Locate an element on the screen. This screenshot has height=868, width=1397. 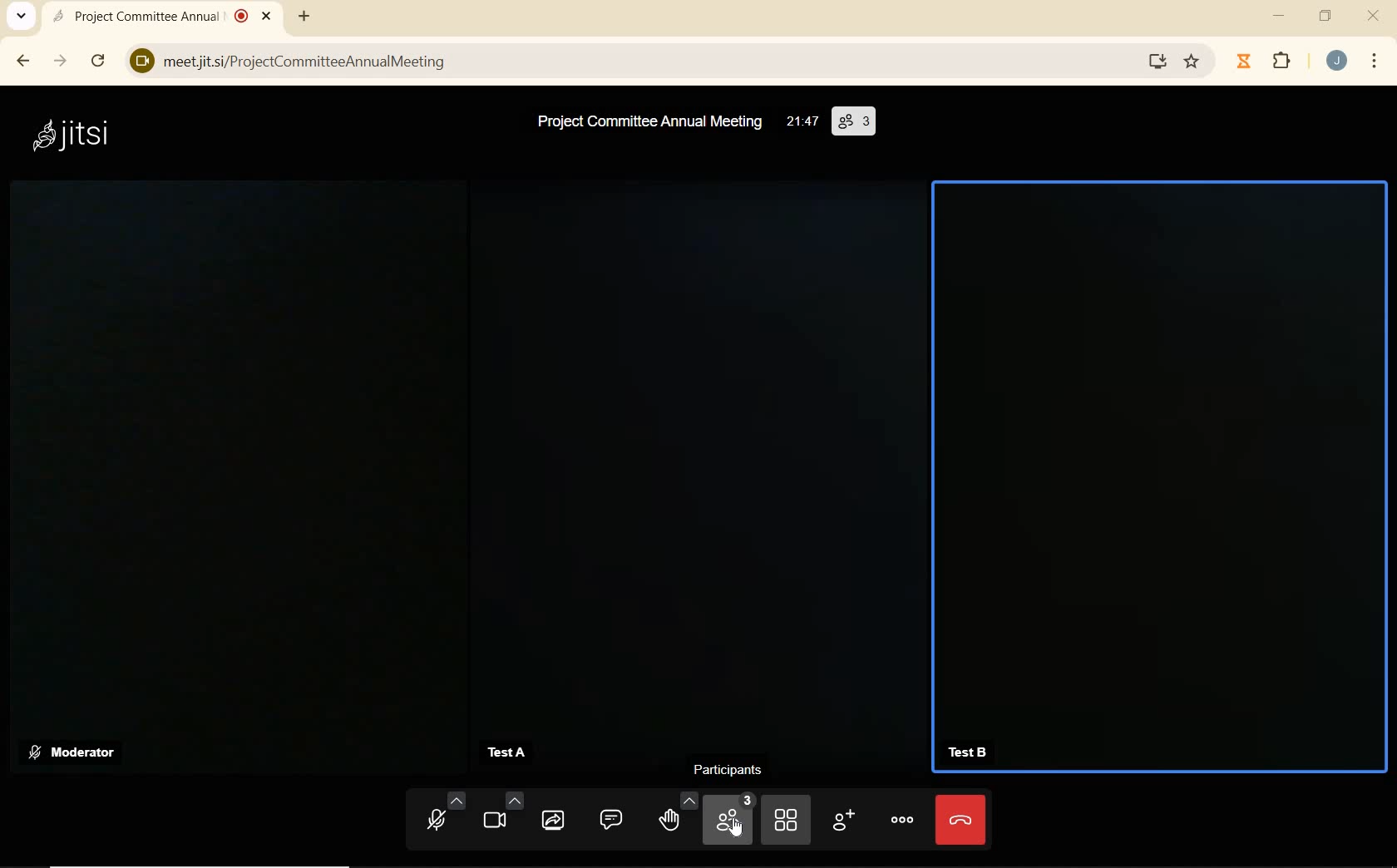
Favorite is located at coordinates (1193, 59).